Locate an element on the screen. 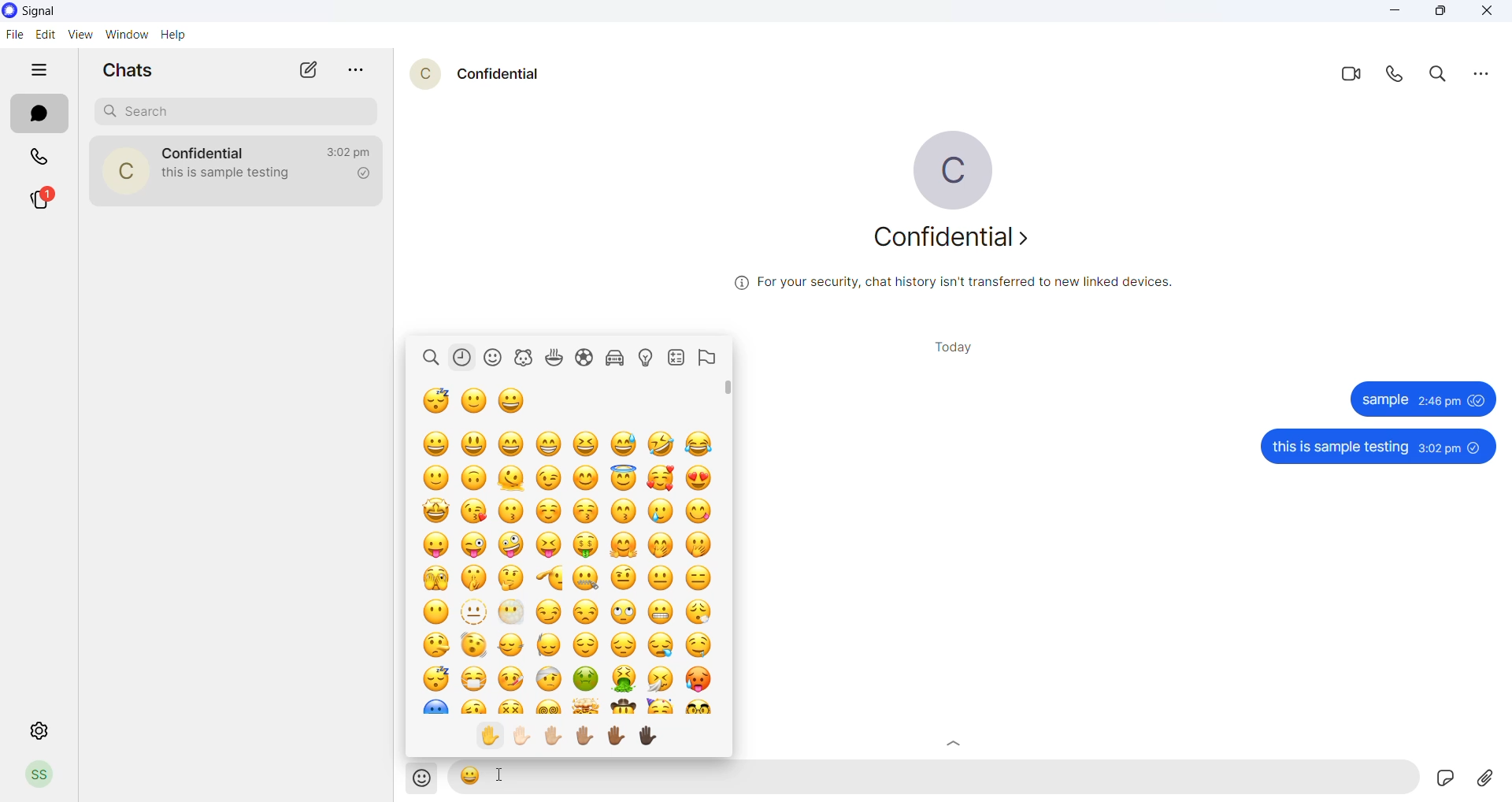  search in messages is located at coordinates (1436, 75).